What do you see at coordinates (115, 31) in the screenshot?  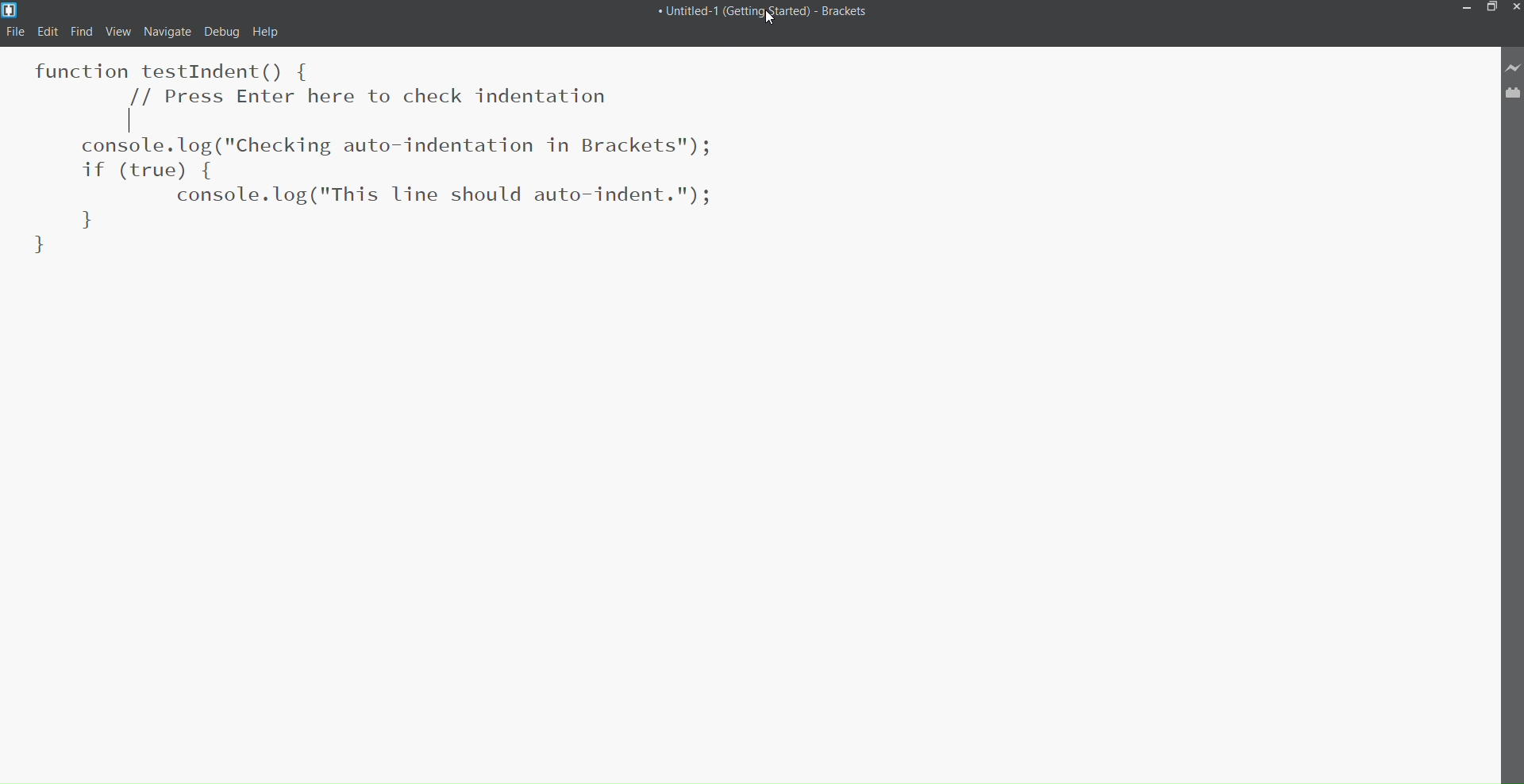 I see `View` at bounding box center [115, 31].